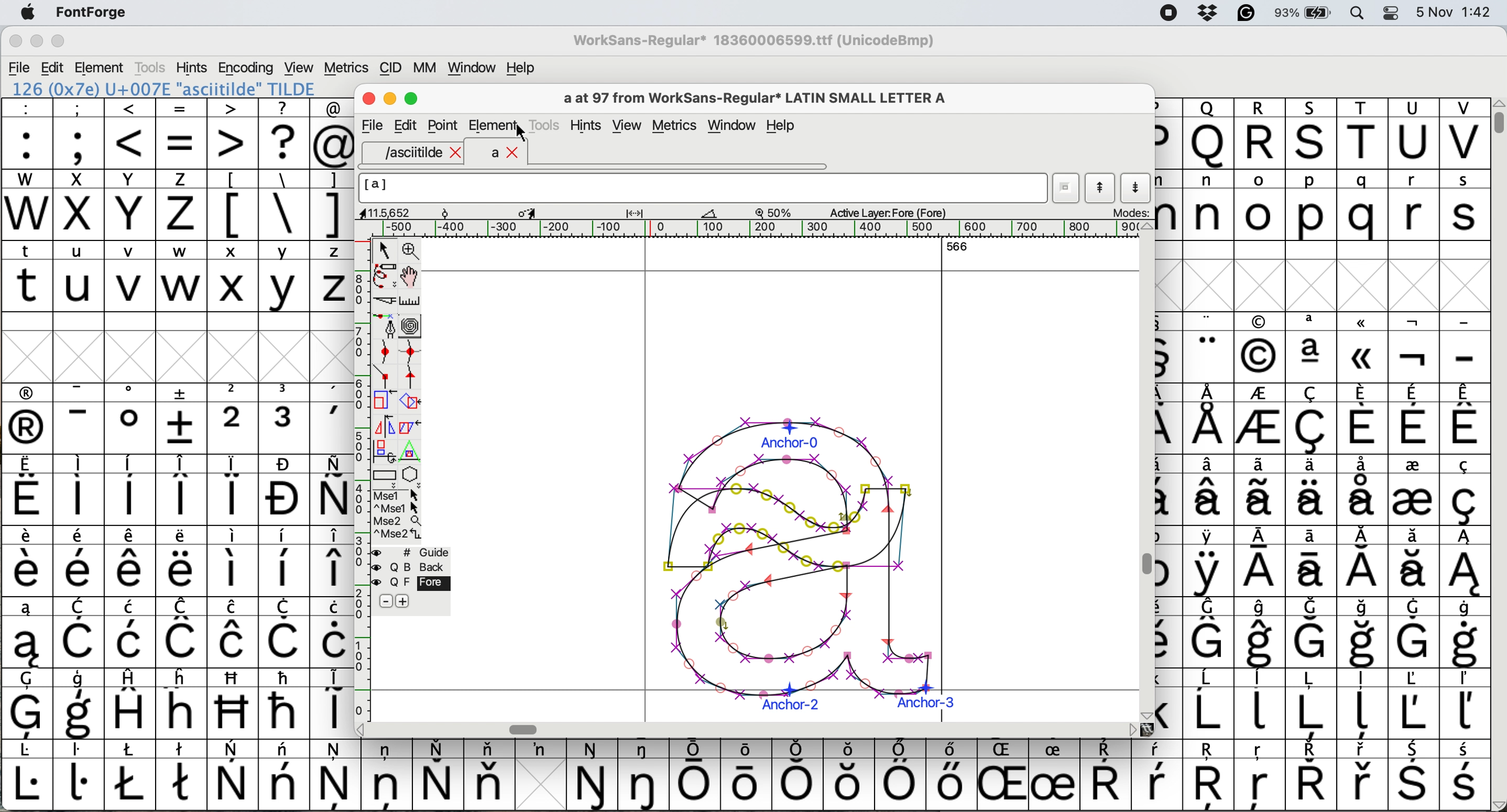 This screenshot has height=812, width=1507. Describe the element at coordinates (411, 277) in the screenshot. I see `scroll by hand` at that location.